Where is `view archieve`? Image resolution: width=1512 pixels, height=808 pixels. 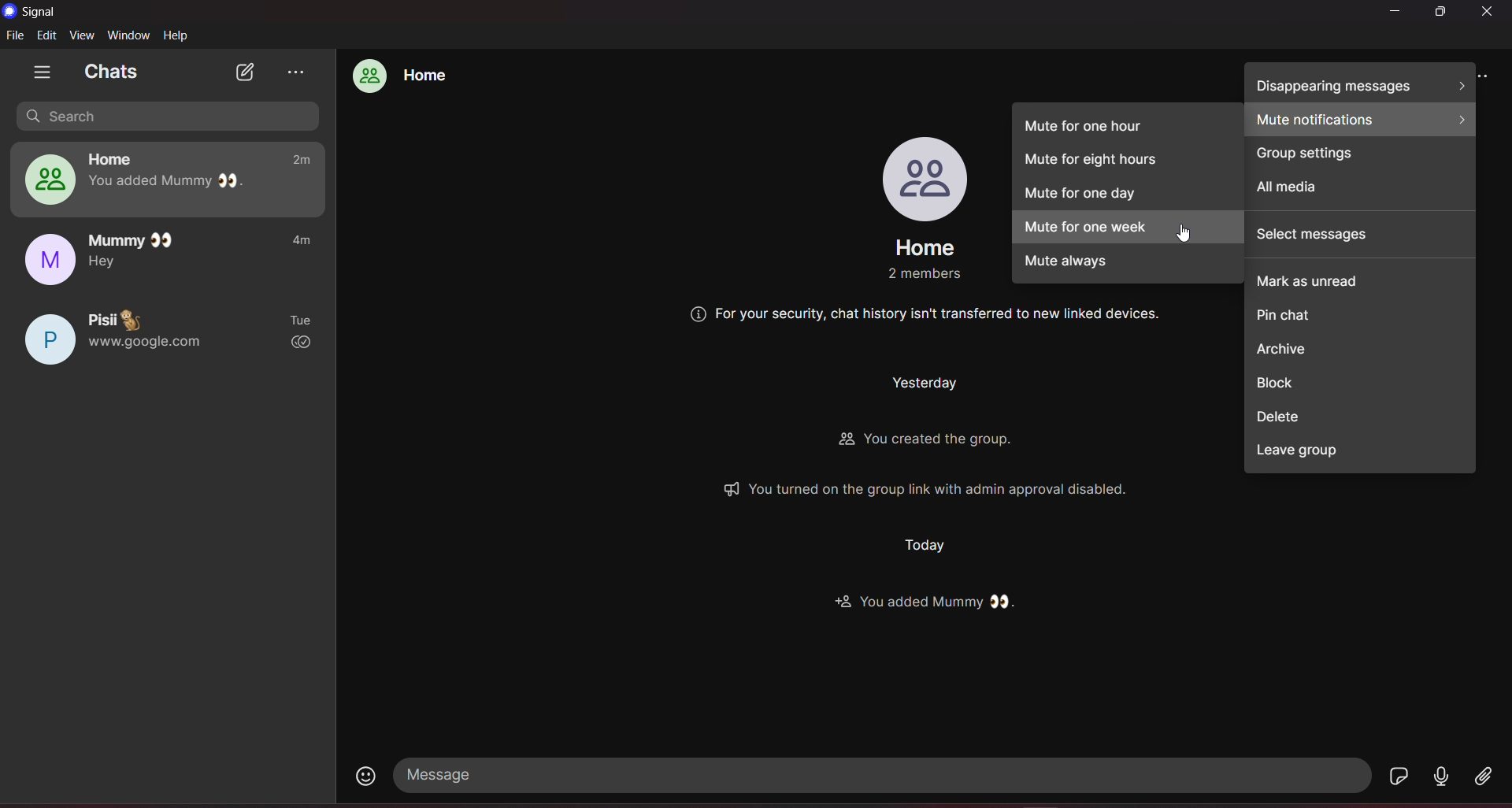
view archieve is located at coordinates (297, 74).